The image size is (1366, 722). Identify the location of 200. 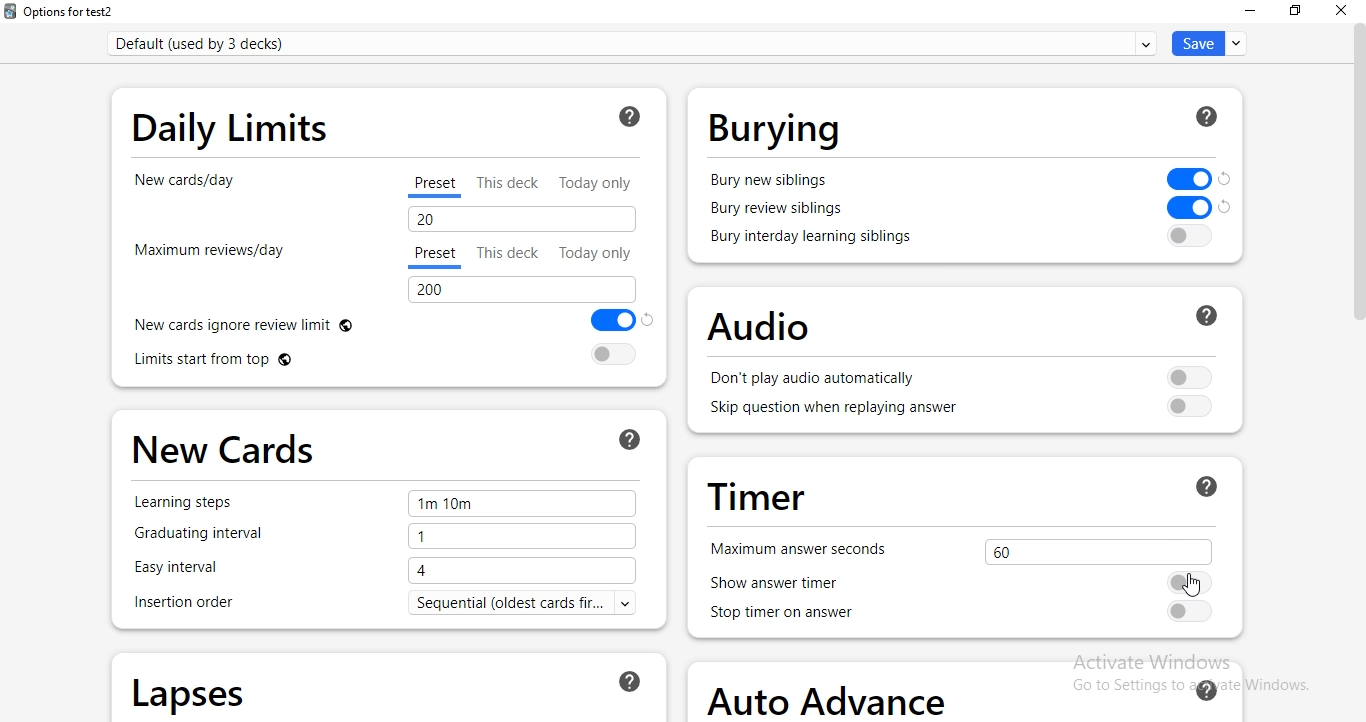
(525, 290).